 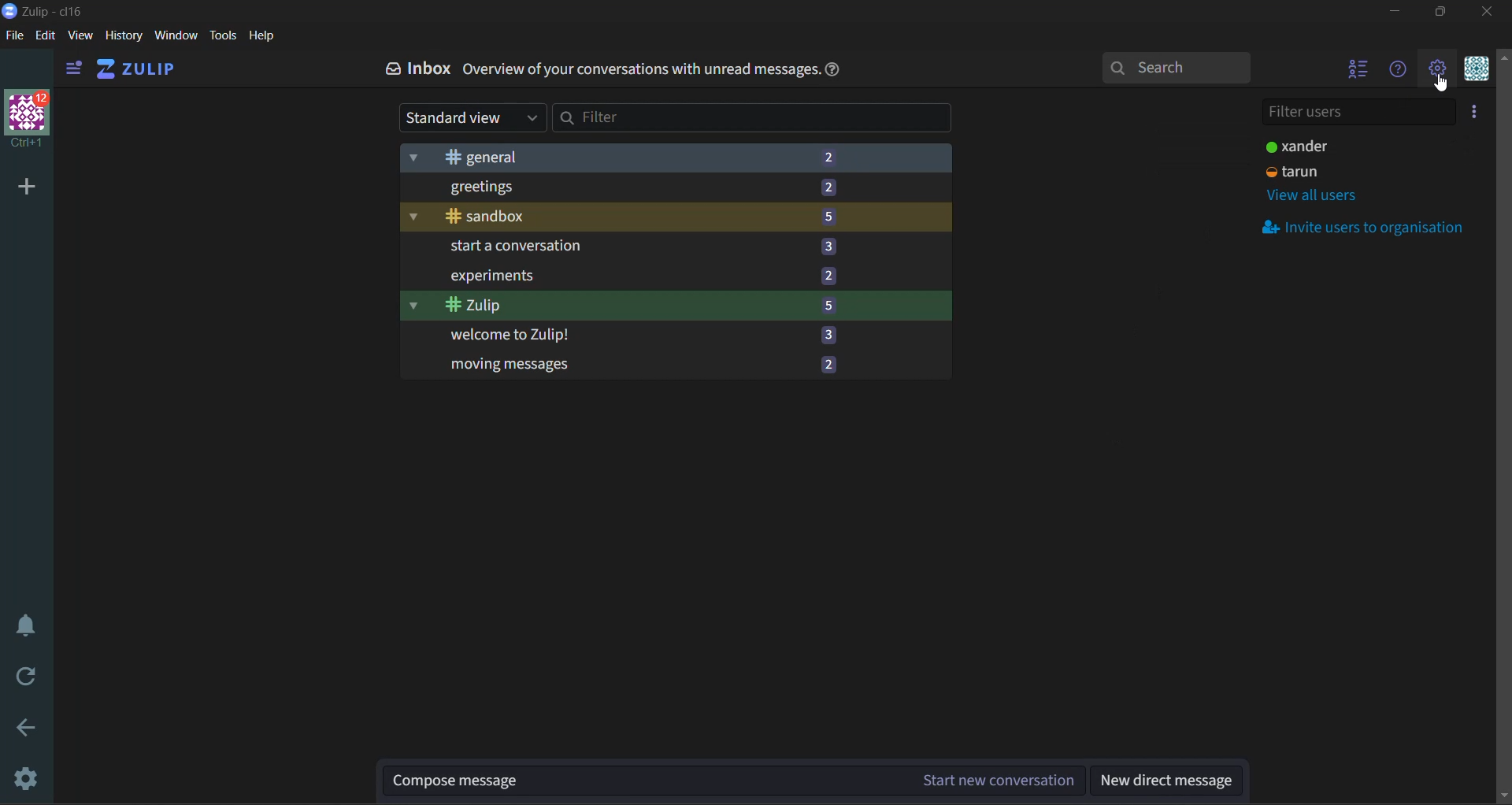 What do you see at coordinates (600, 73) in the screenshot?
I see `Inbox overview of your conversation with unread messages` at bounding box center [600, 73].